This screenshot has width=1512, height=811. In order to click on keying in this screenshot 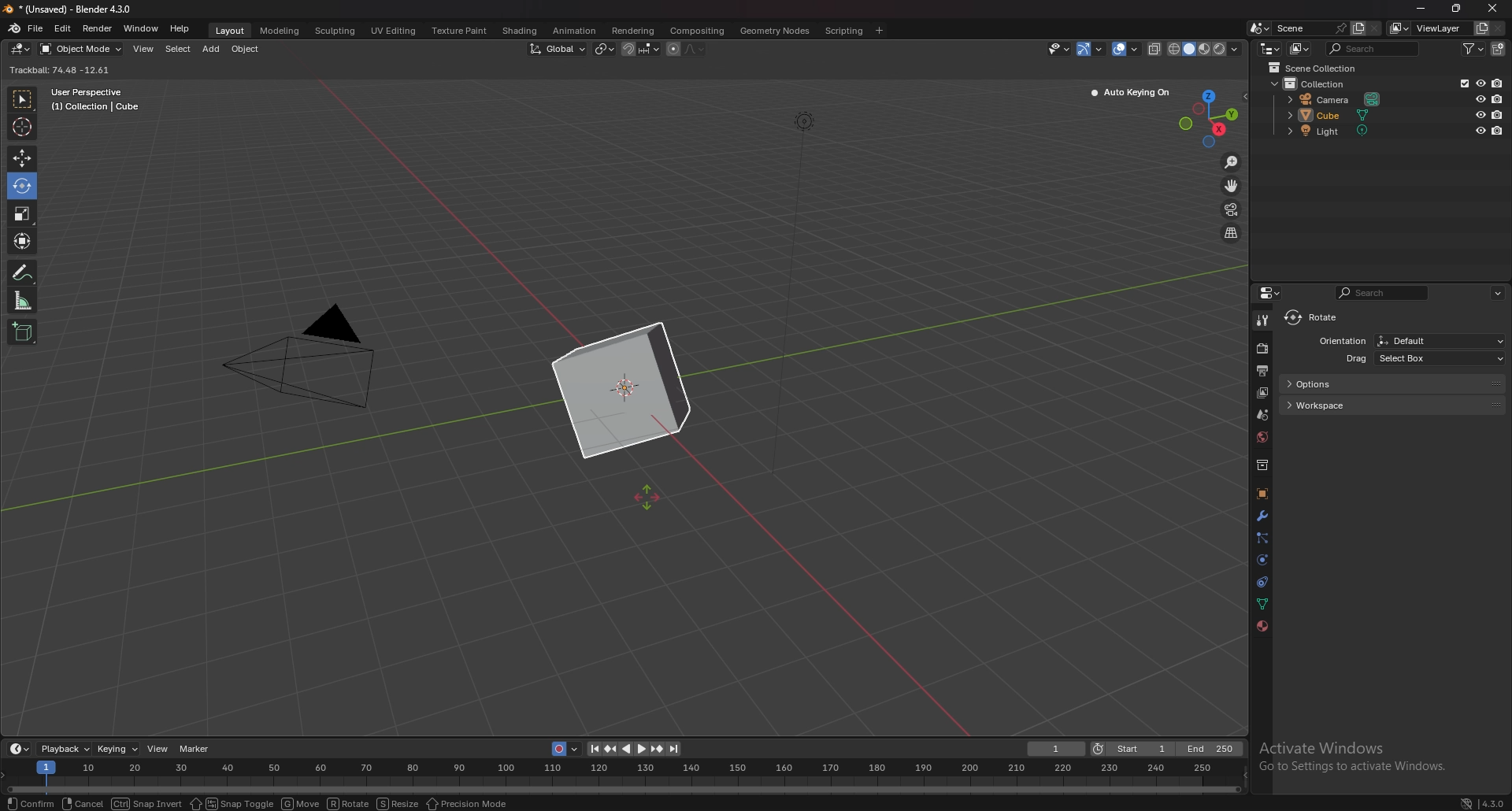, I will do `click(118, 749)`.